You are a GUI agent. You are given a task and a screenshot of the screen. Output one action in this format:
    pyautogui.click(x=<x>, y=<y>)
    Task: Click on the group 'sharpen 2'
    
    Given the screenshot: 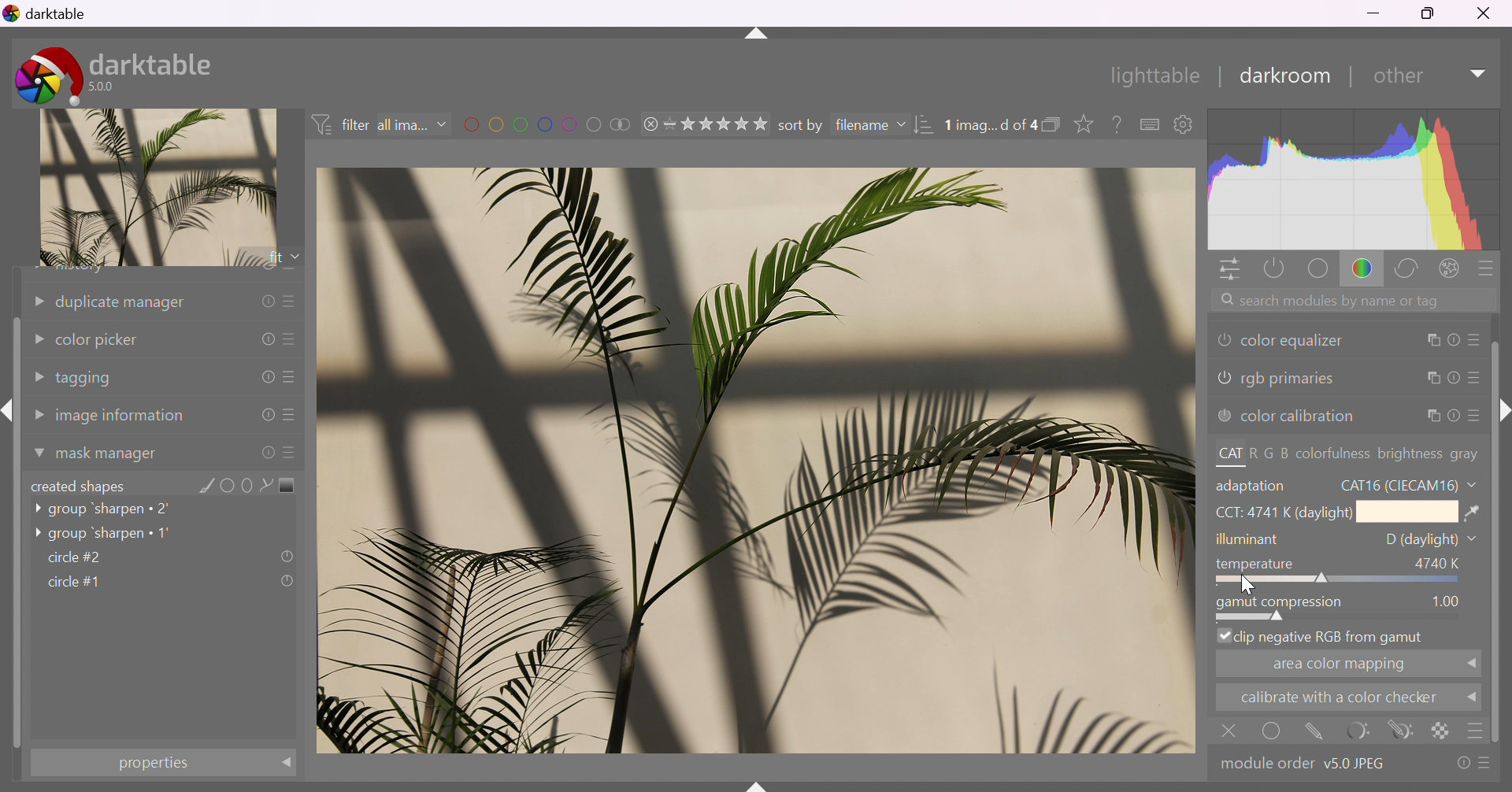 What is the action you would take?
    pyautogui.click(x=100, y=511)
    